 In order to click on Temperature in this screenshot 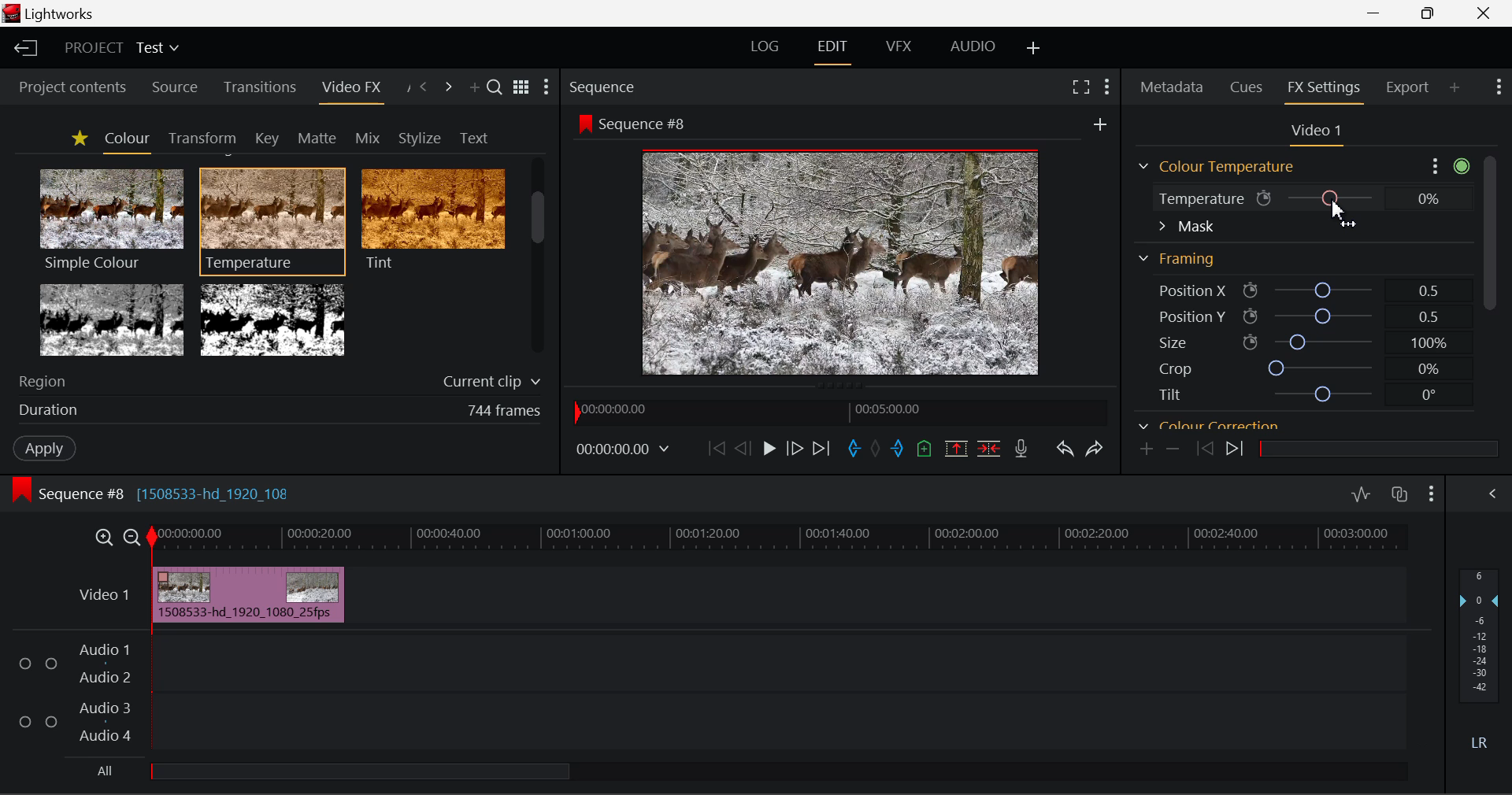, I will do `click(1332, 197)`.